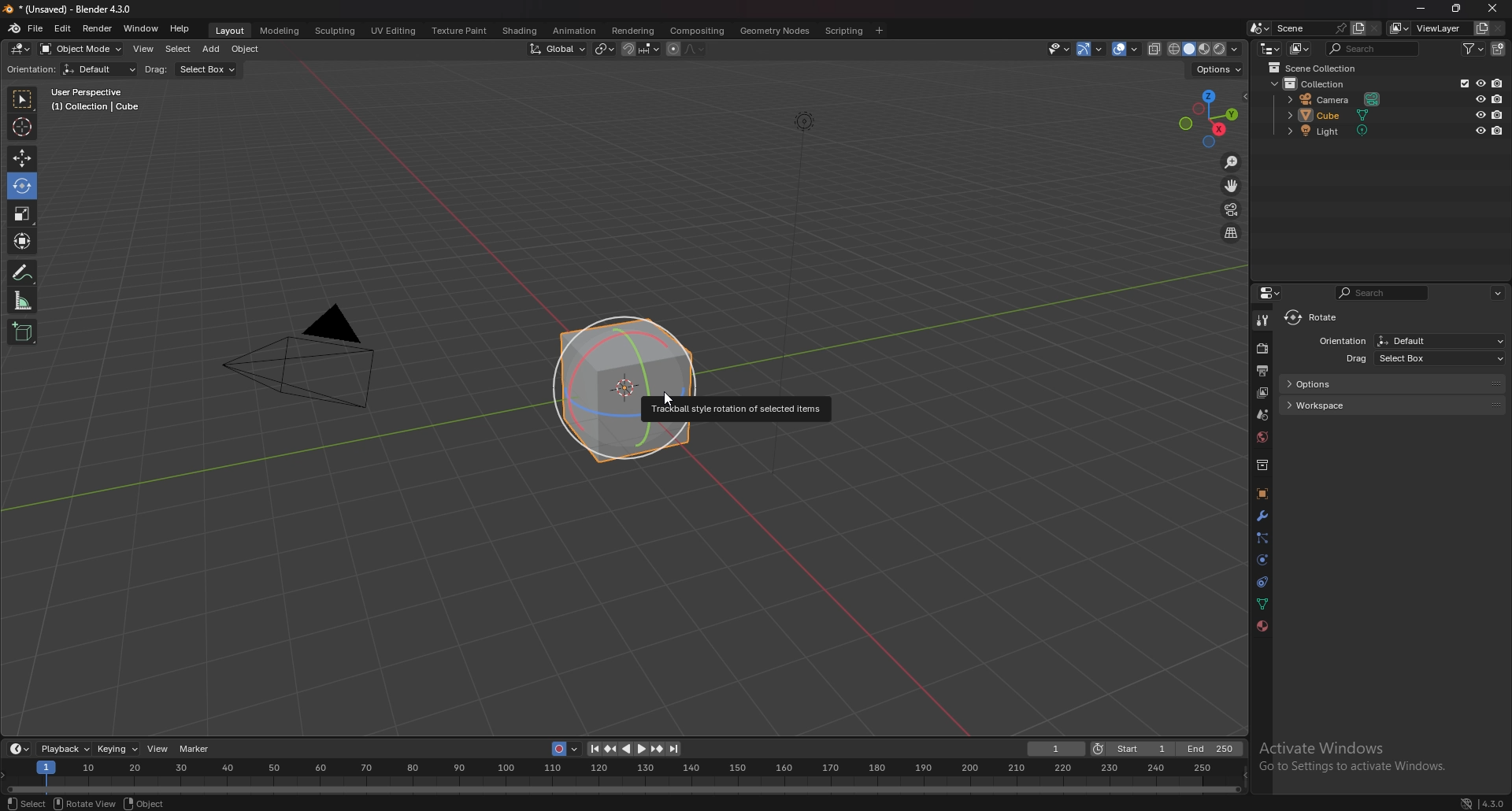 This screenshot has height=811, width=1512. What do you see at coordinates (1497, 98) in the screenshot?
I see `disable in render` at bounding box center [1497, 98].